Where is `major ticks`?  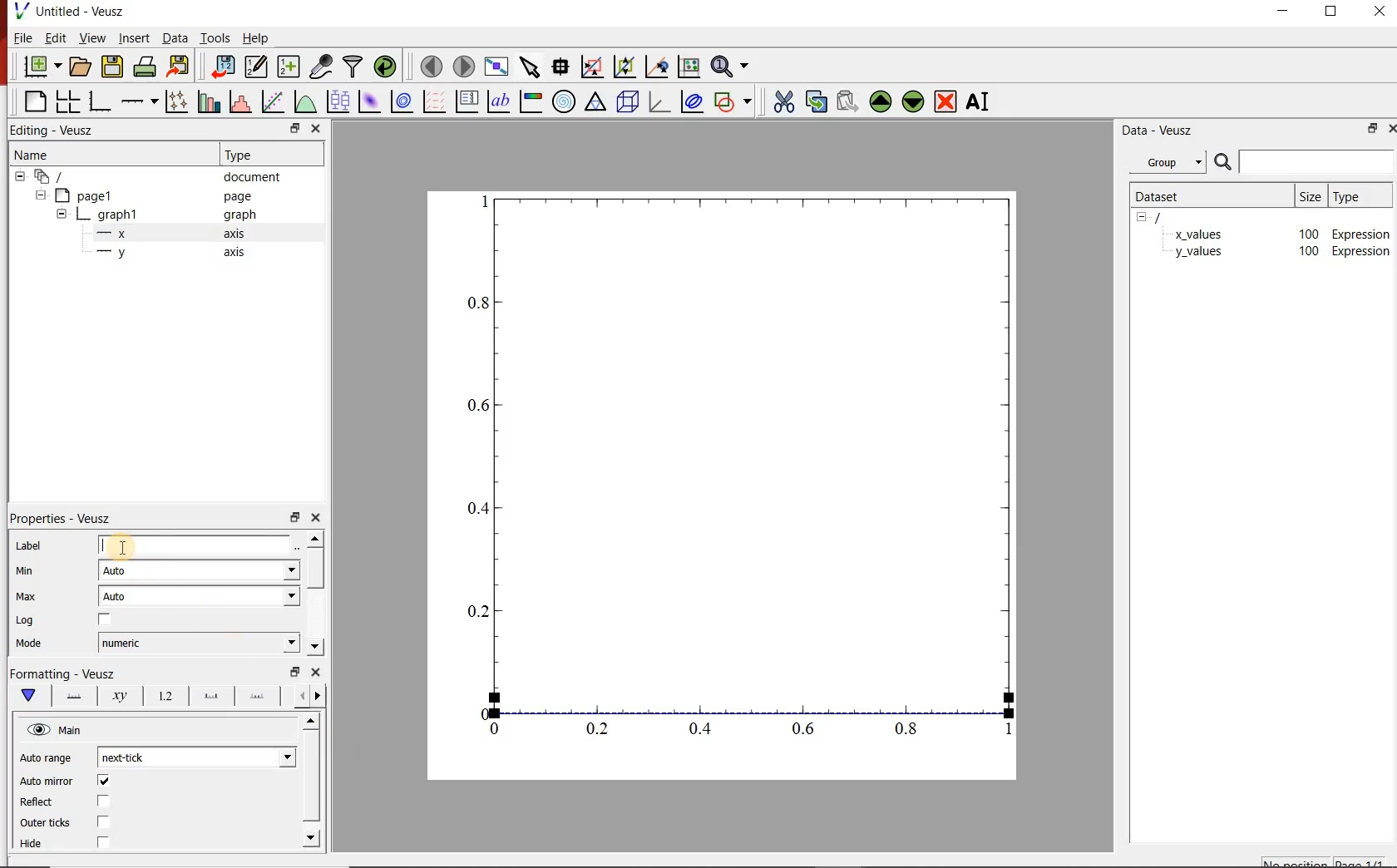 major ticks is located at coordinates (212, 696).